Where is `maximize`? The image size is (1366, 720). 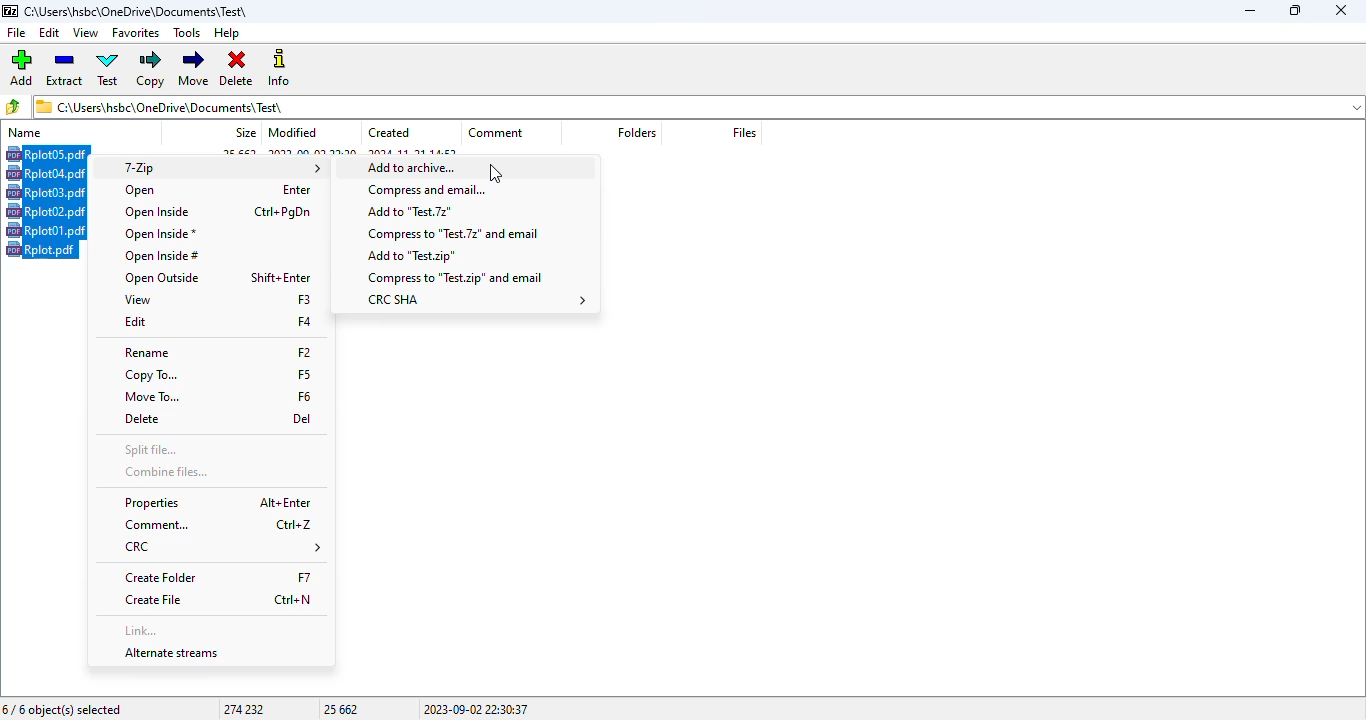
maximize is located at coordinates (1293, 10).